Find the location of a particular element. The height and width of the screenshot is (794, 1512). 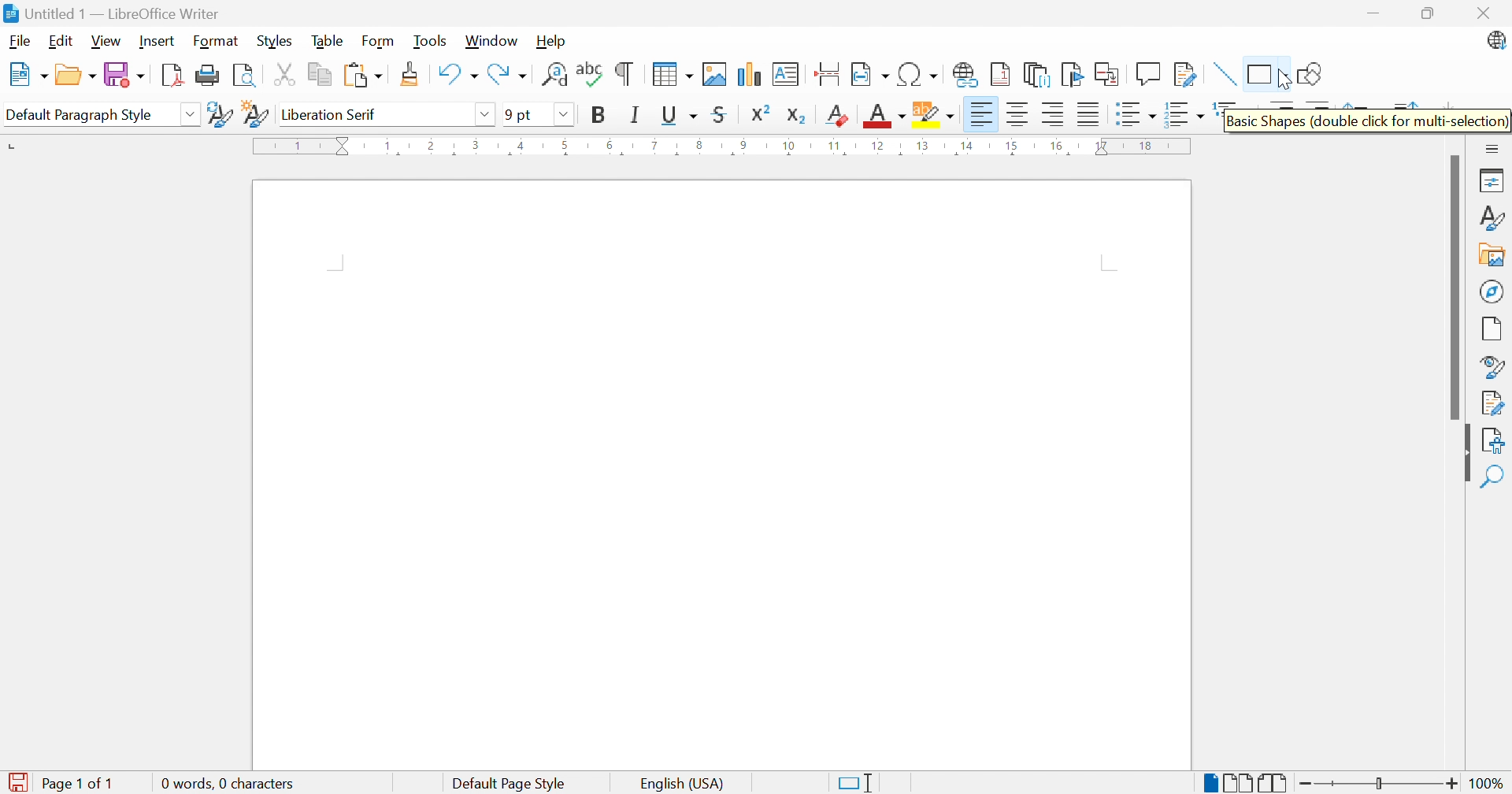

Drop down is located at coordinates (192, 116).